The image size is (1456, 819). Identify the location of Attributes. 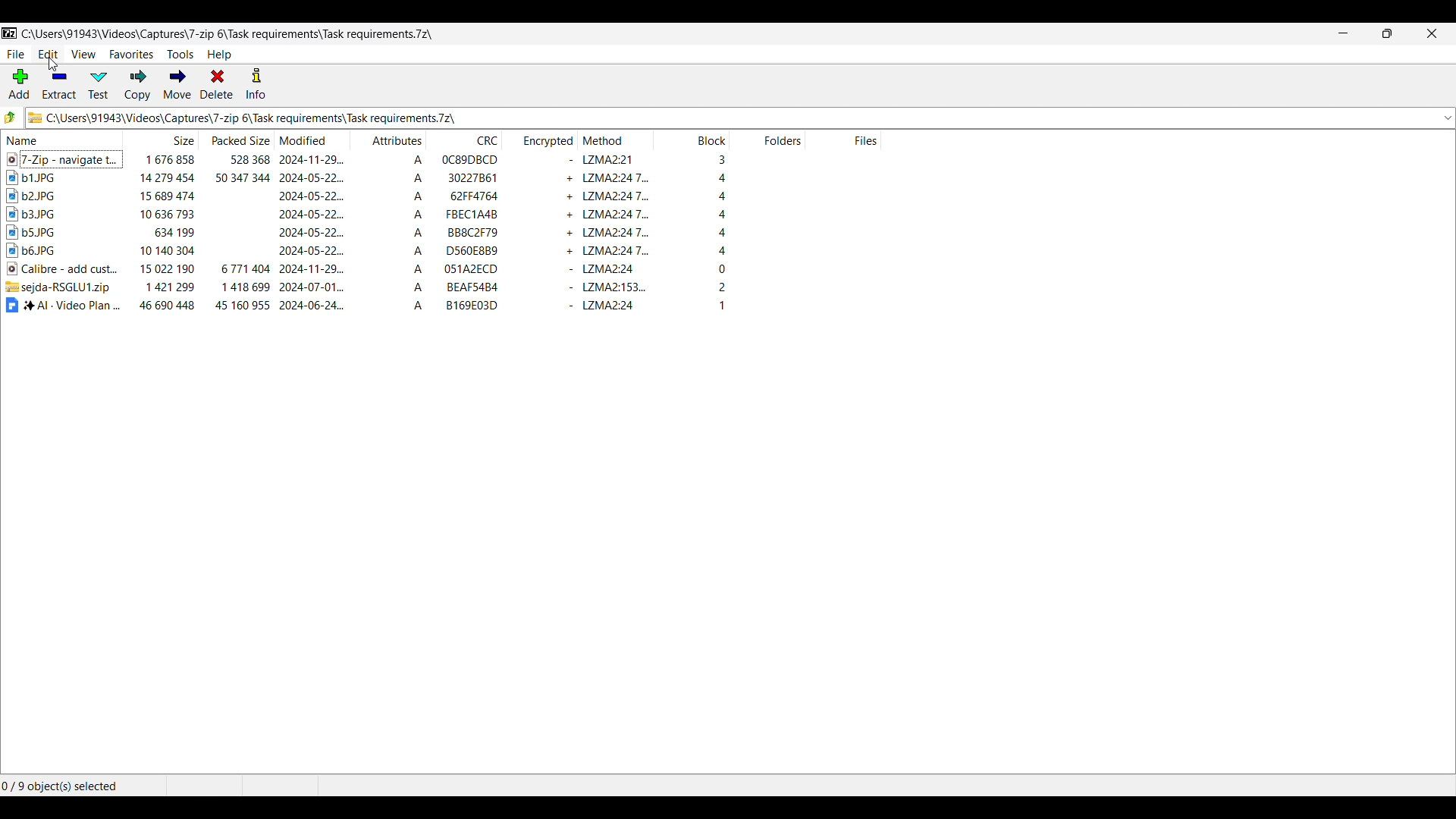
(388, 234).